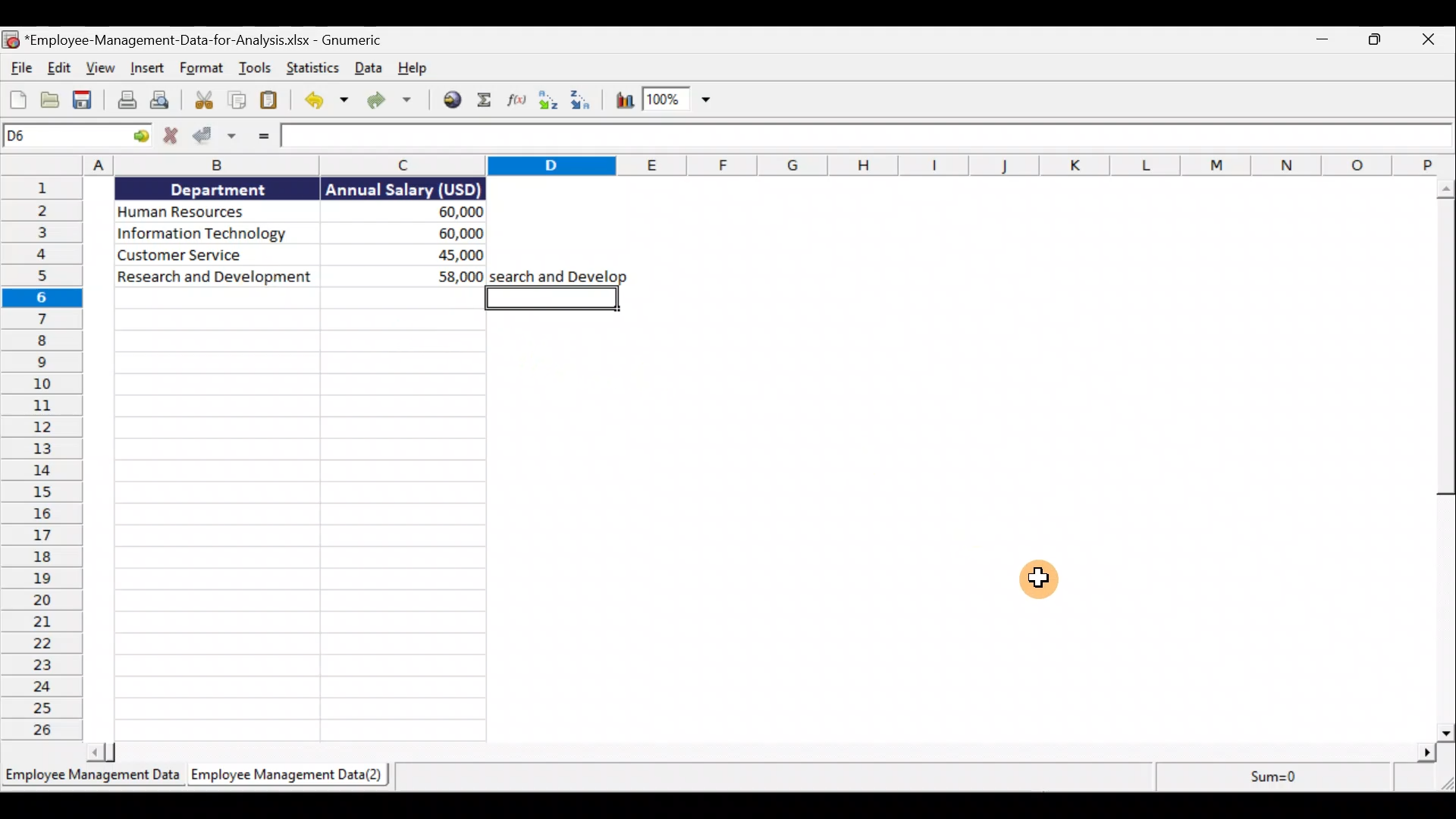 This screenshot has height=819, width=1456. I want to click on Format, so click(202, 69).